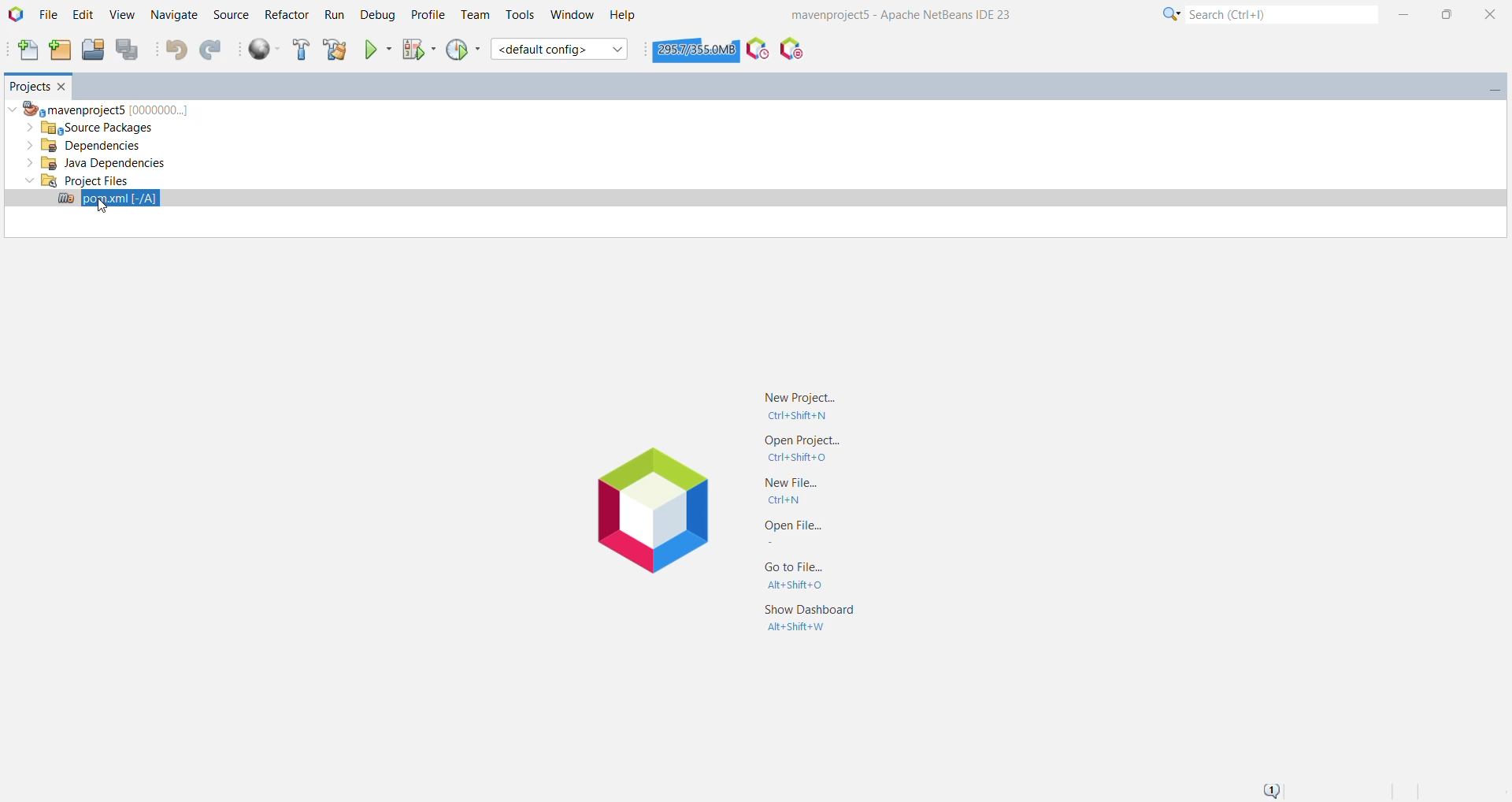  I want to click on Debug Project, so click(417, 49).